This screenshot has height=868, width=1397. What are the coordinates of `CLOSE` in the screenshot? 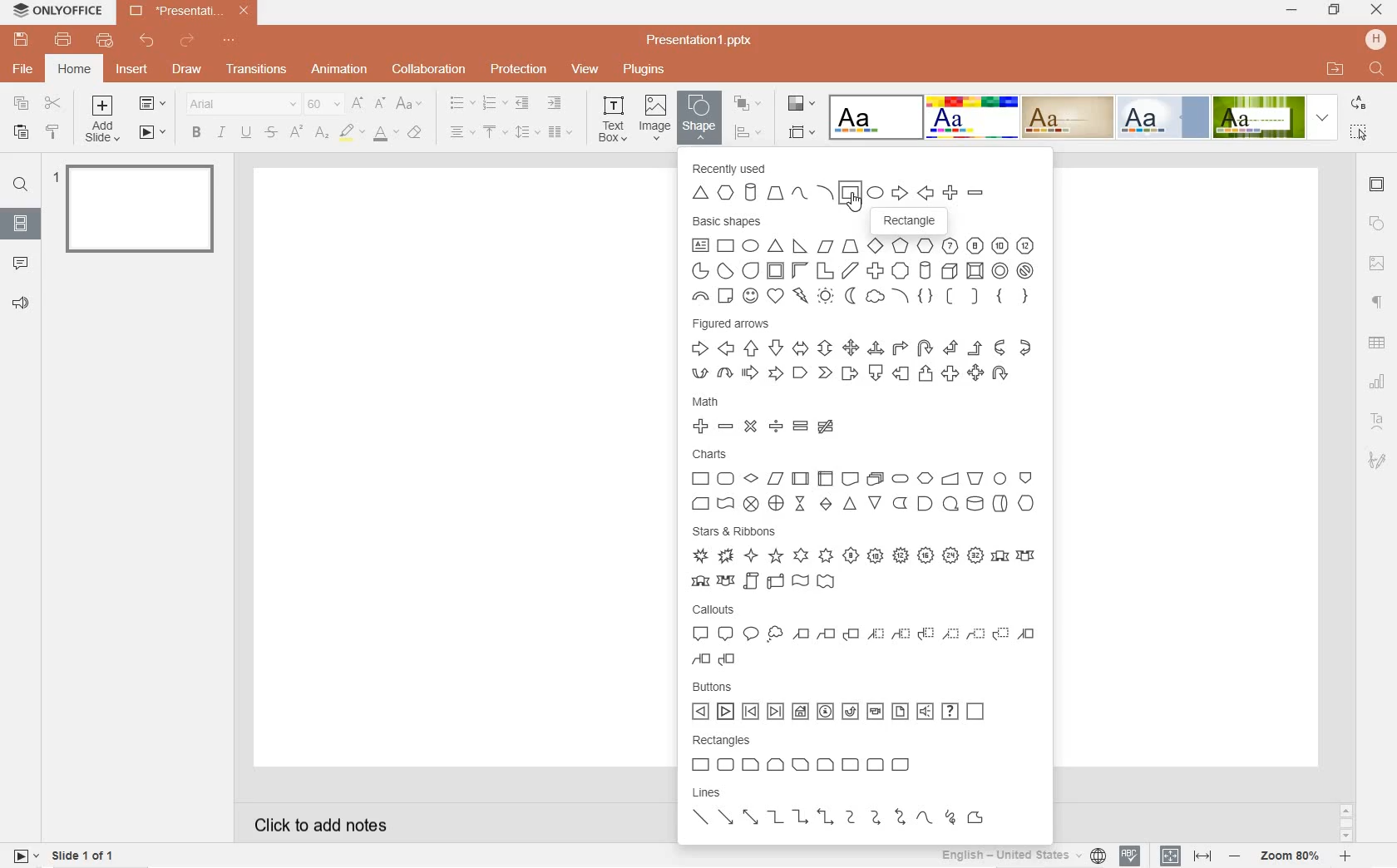 It's located at (1377, 11).